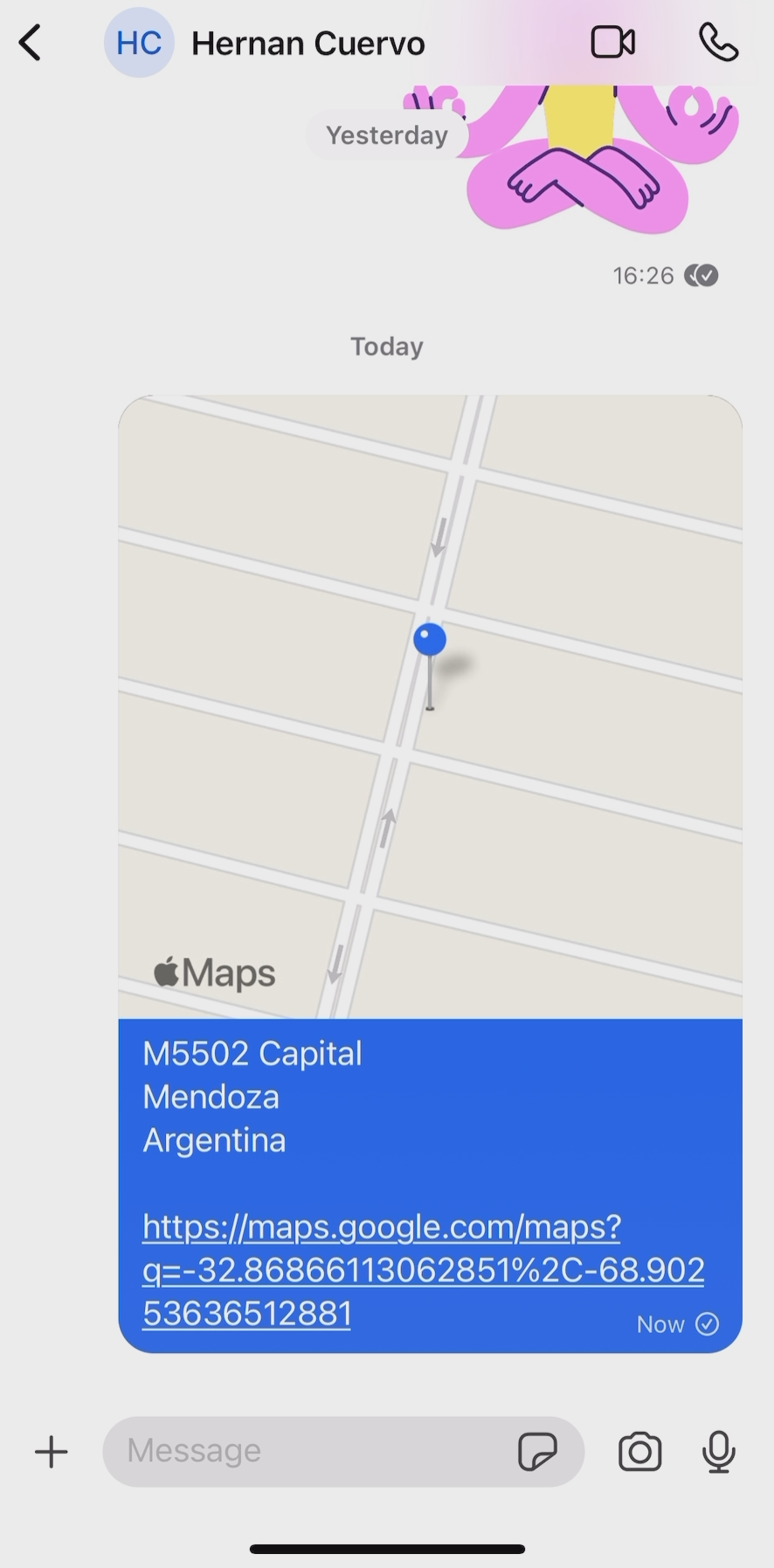 This screenshot has height=1568, width=774. Describe the element at coordinates (264, 40) in the screenshot. I see `Hernan Cuervo profile` at that location.